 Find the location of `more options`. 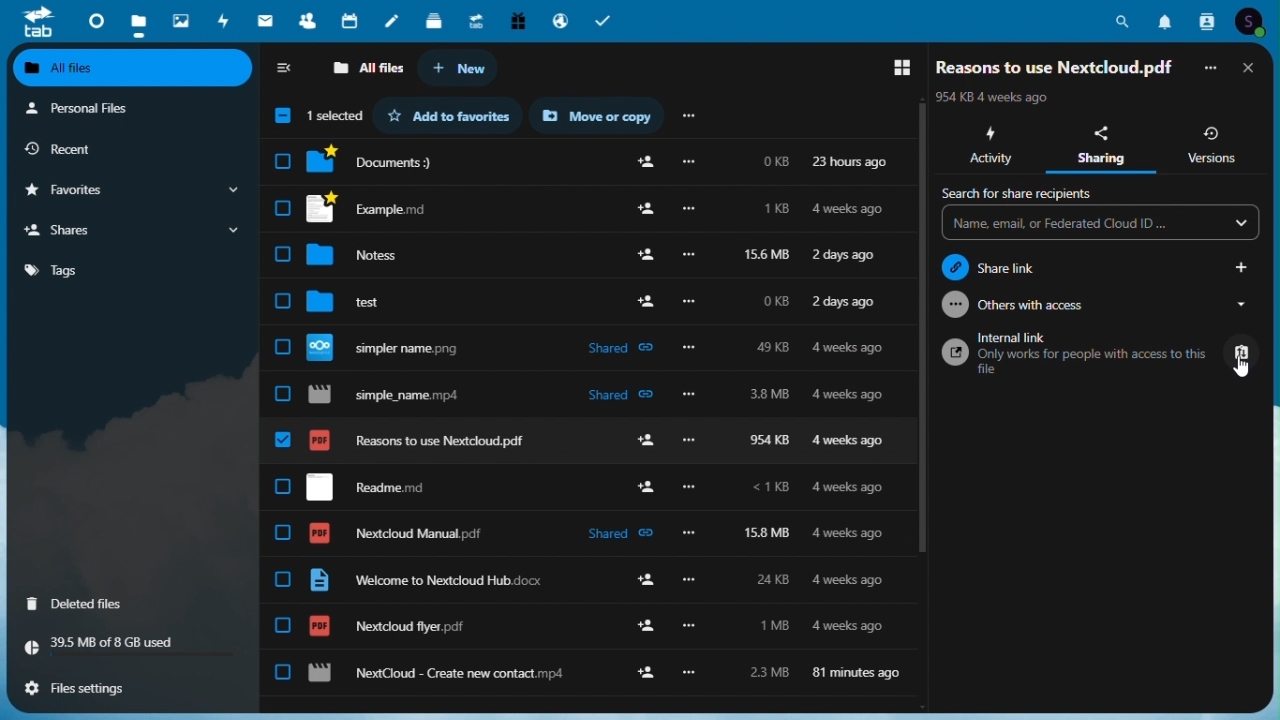

more options is located at coordinates (692, 440).